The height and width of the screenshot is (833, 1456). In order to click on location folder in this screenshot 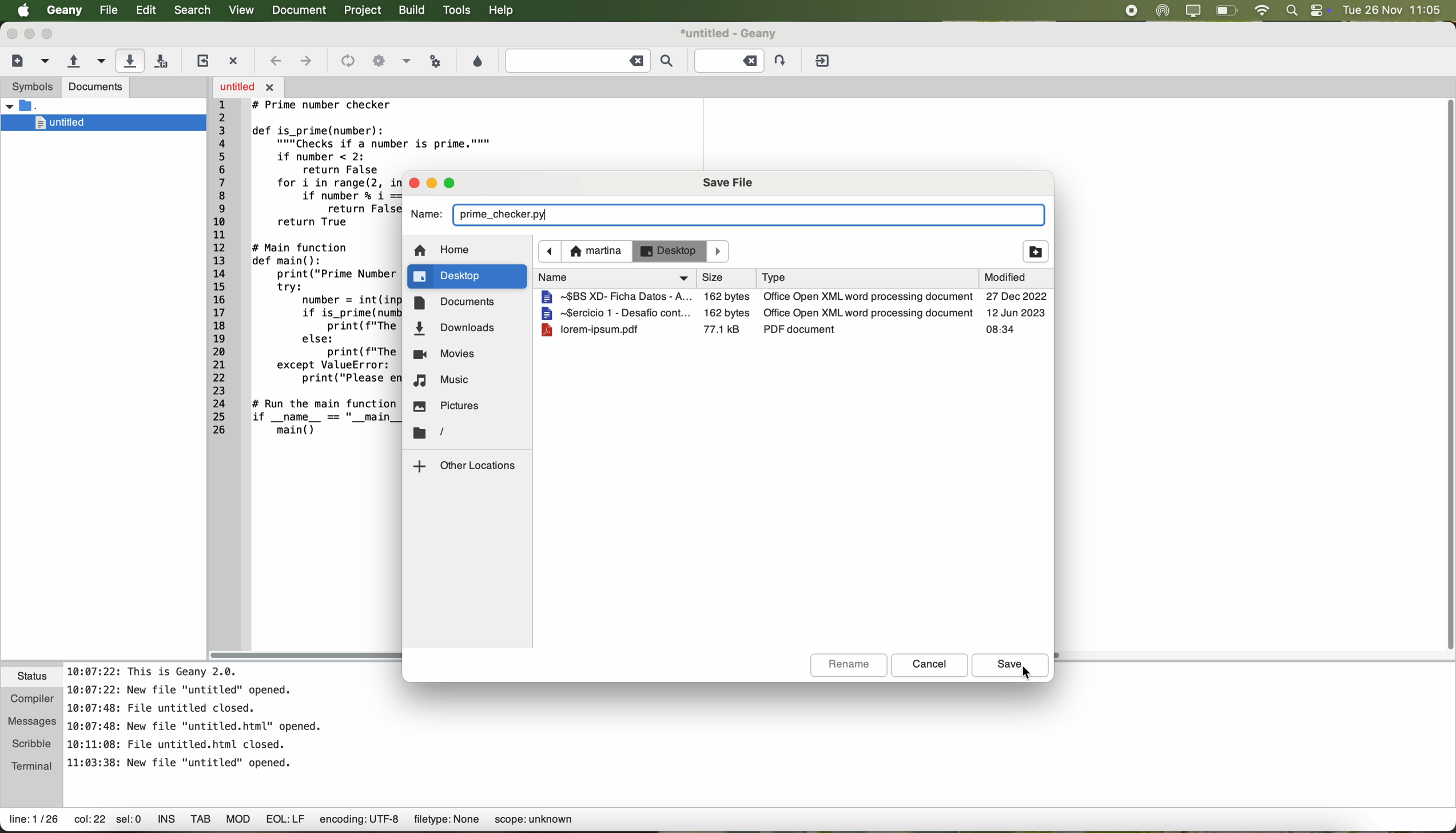, I will do `click(467, 433)`.